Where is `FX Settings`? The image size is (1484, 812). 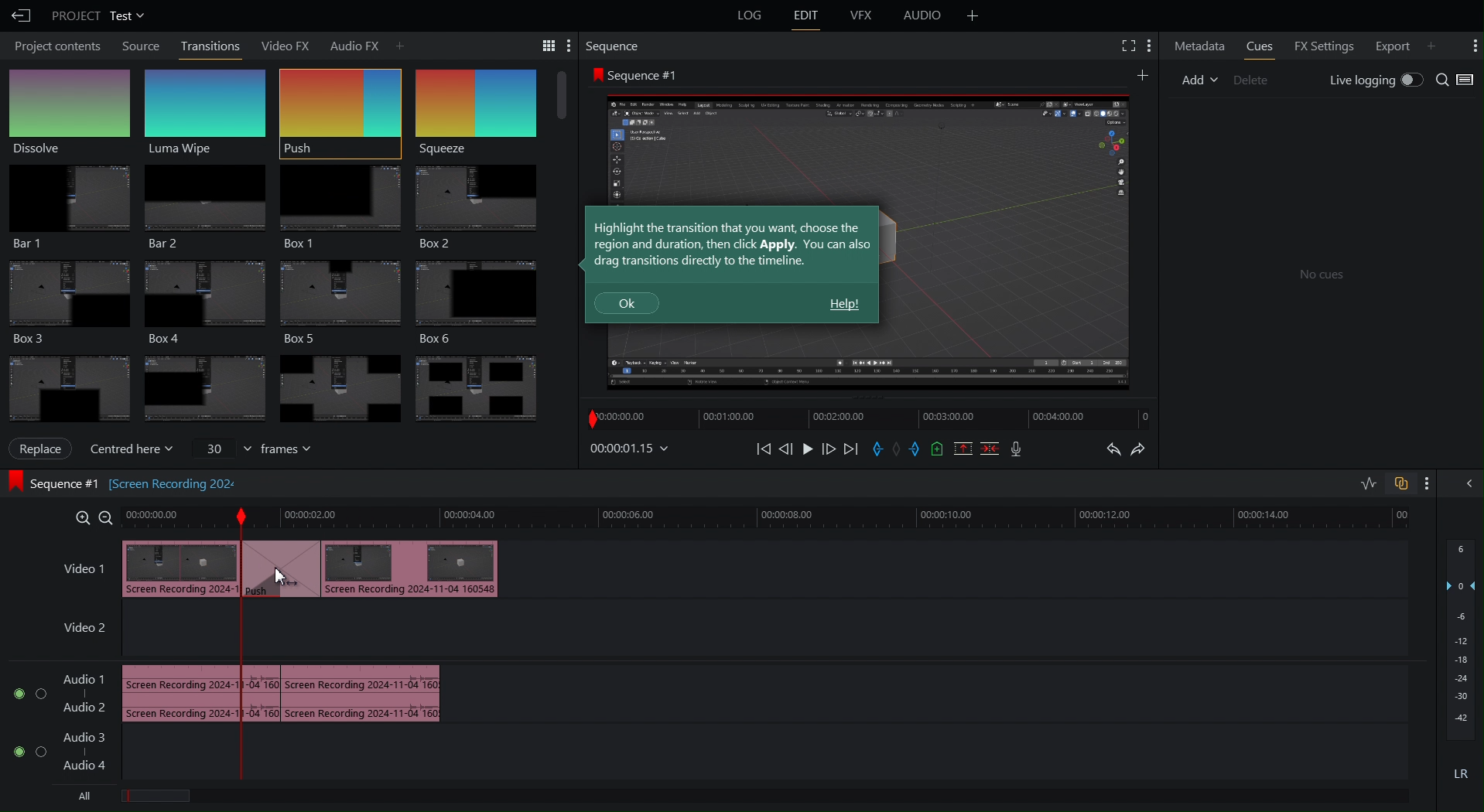
FX Settings is located at coordinates (1322, 45).